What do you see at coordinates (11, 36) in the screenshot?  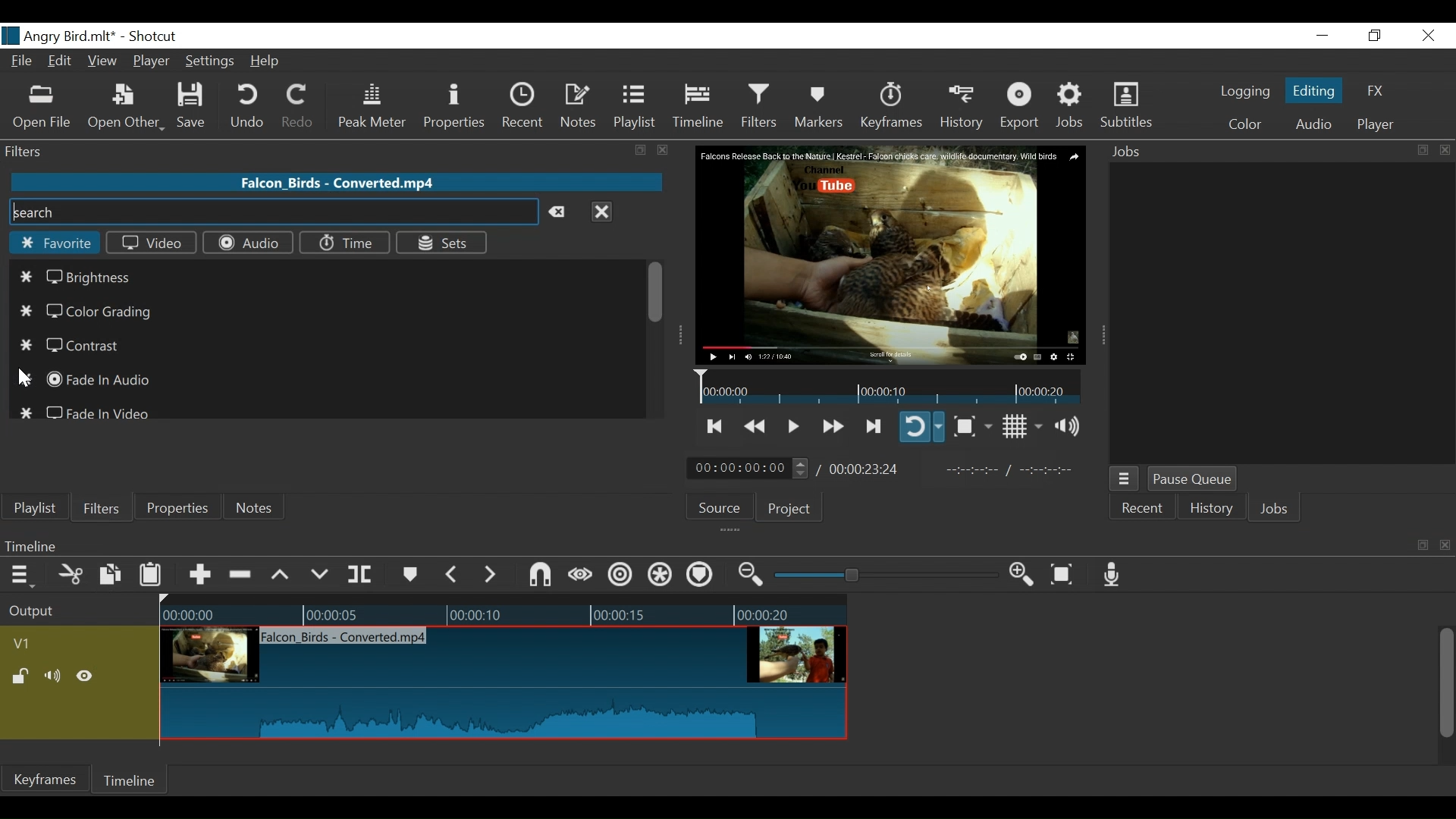 I see `logo` at bounding box center [11, 36].